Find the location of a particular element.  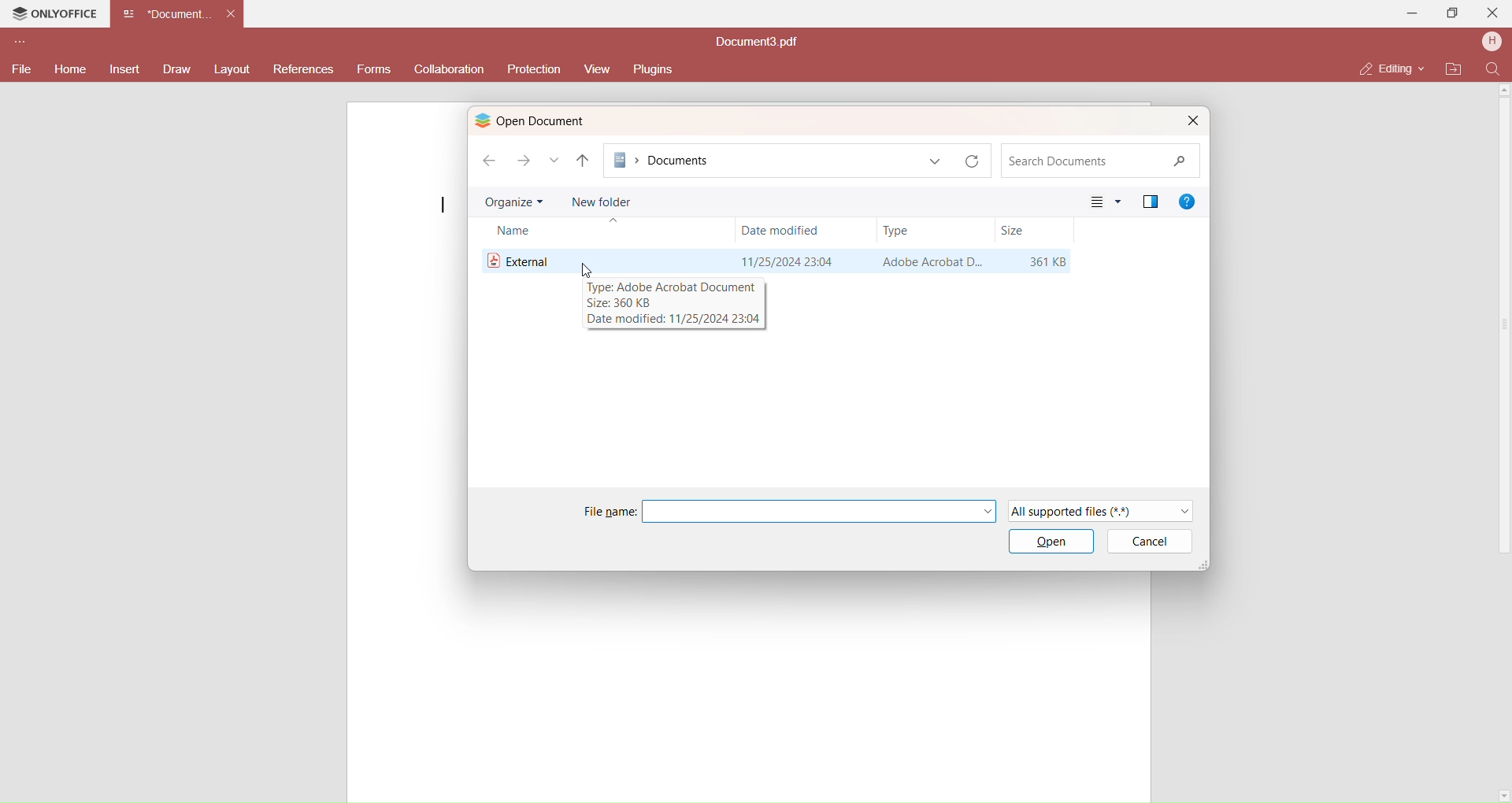

Open is located at coordinates (1051, 544).